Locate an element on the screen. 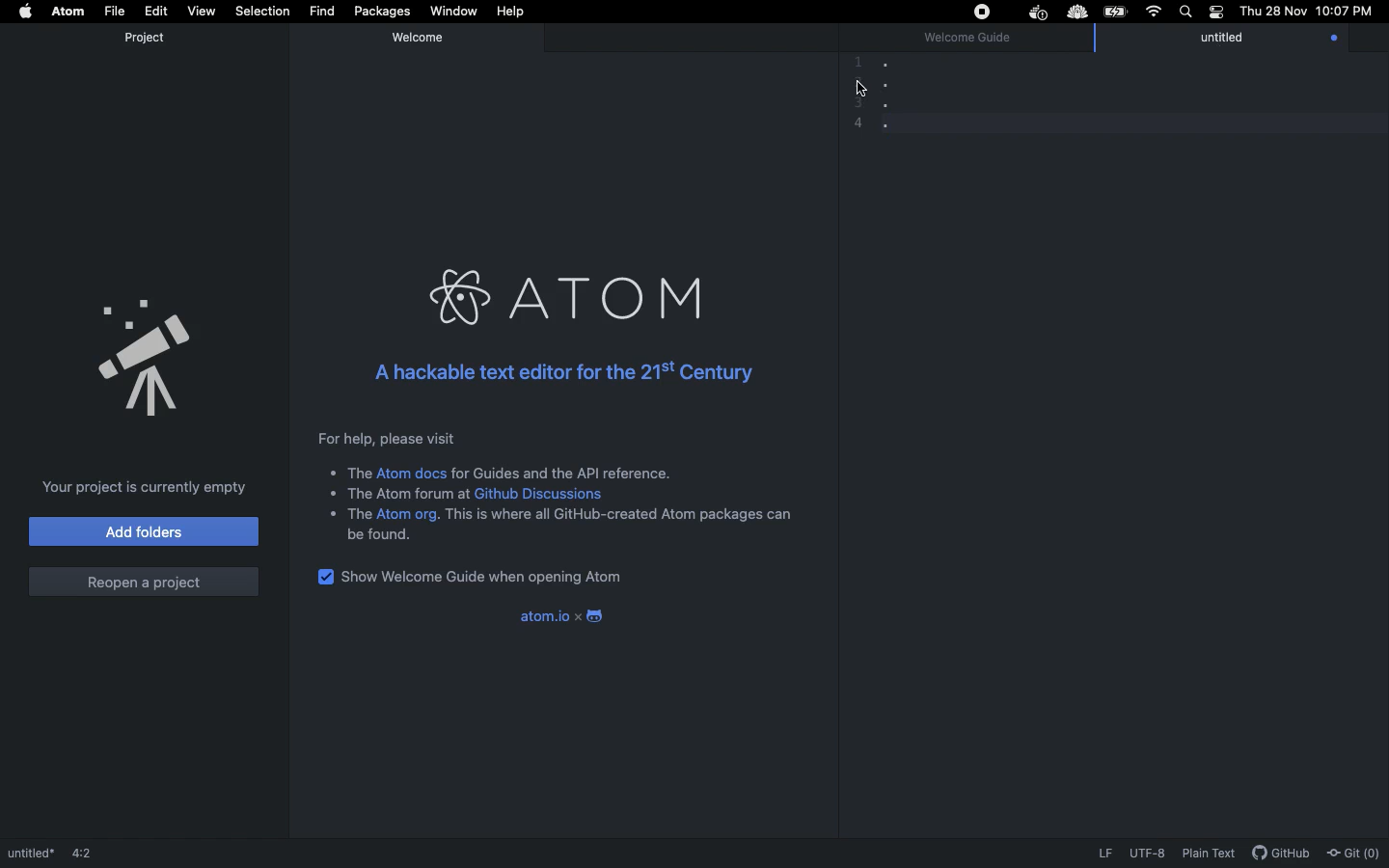  Edit is located at coordinates (155, 11).